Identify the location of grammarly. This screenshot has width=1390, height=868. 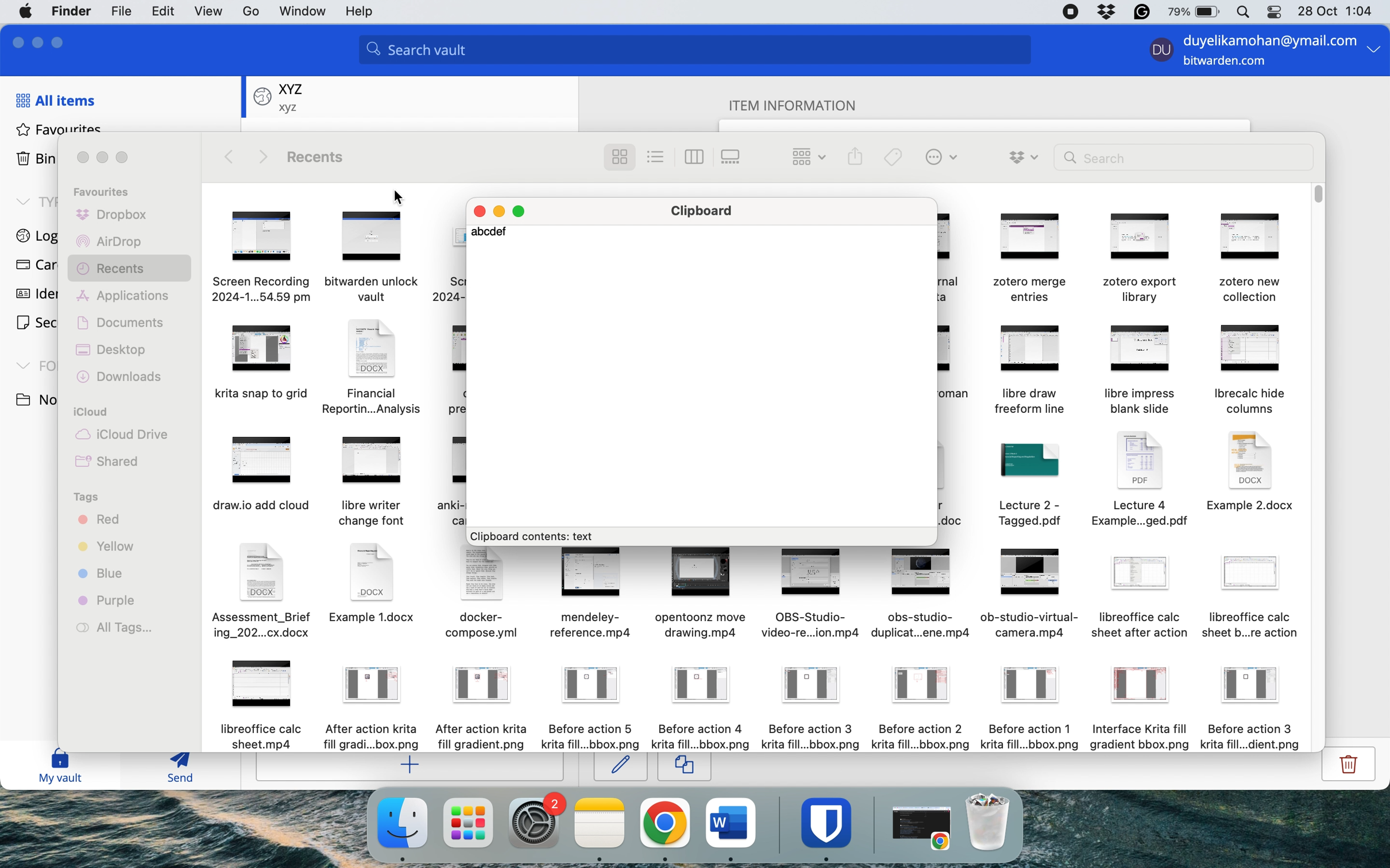
(1140, 12).